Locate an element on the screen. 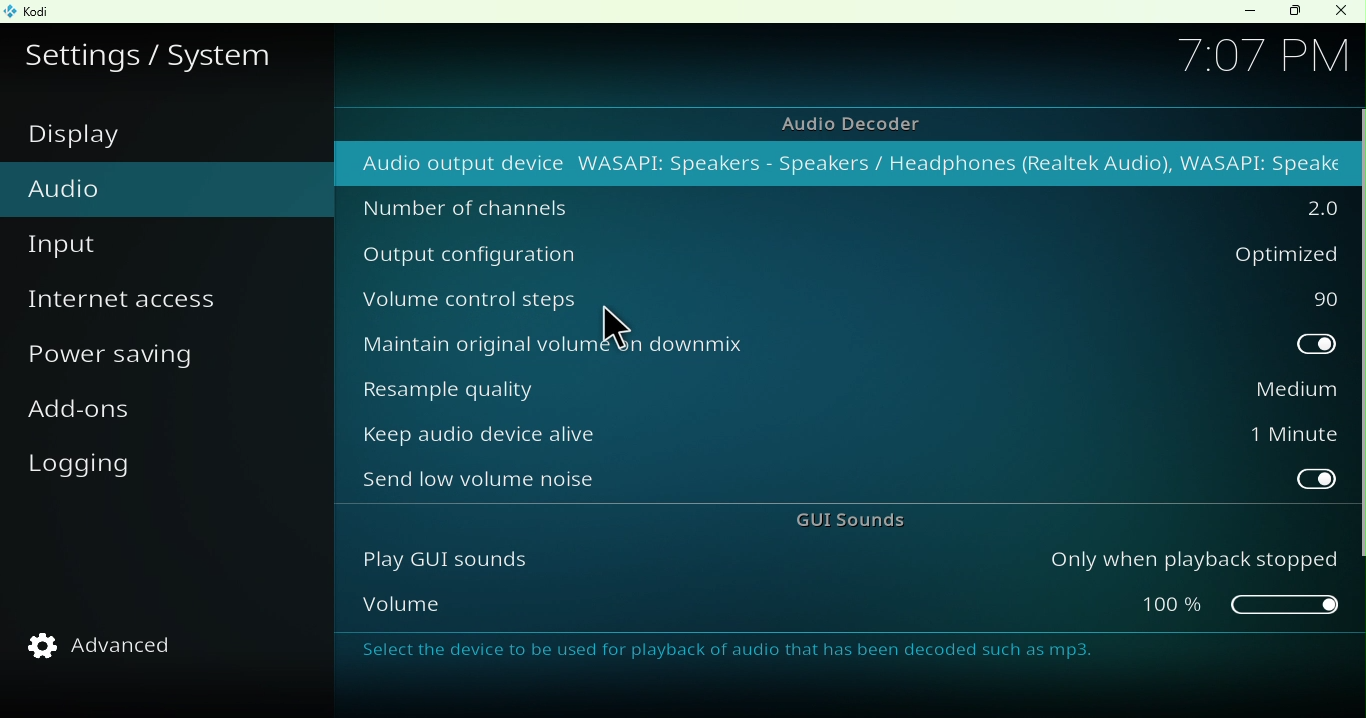  Advanced is located at coordinates (102, 647).